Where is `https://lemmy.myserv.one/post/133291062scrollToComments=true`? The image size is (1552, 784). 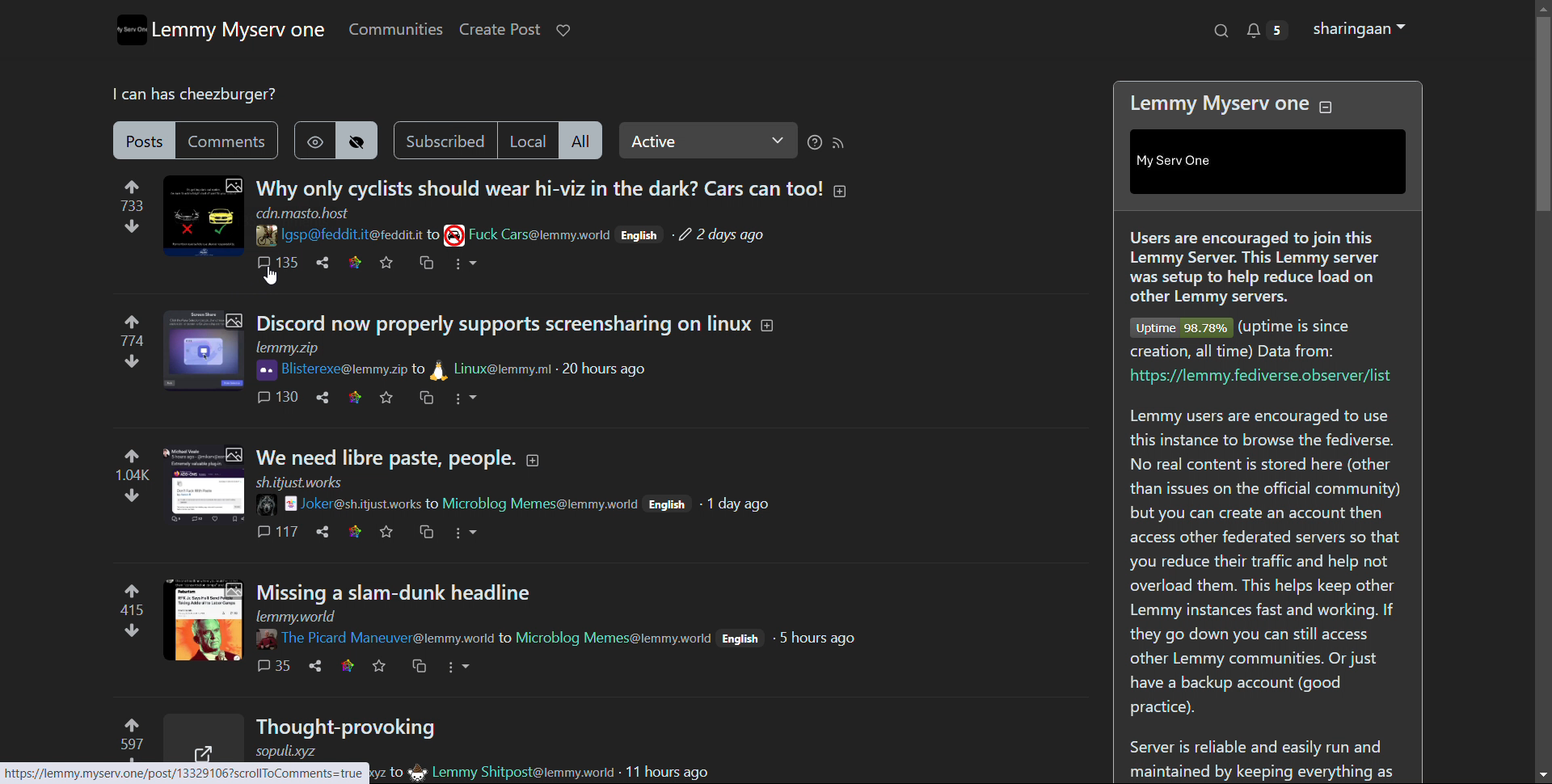 https://lemmy.myserv.one/post/133291062scrollToComments=true is located at coordinates (185, 773).